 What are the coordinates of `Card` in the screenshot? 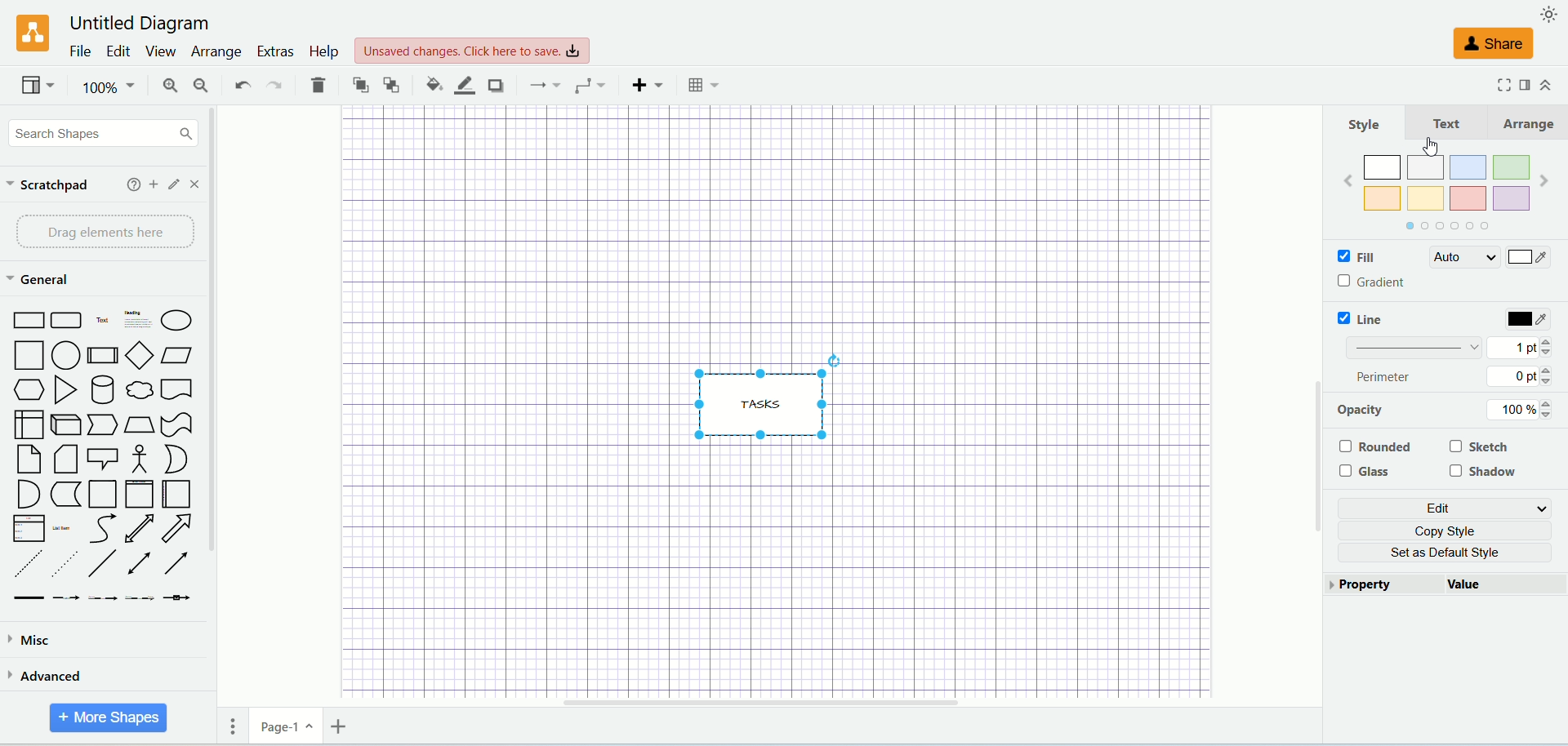 It's located at (65, 460).